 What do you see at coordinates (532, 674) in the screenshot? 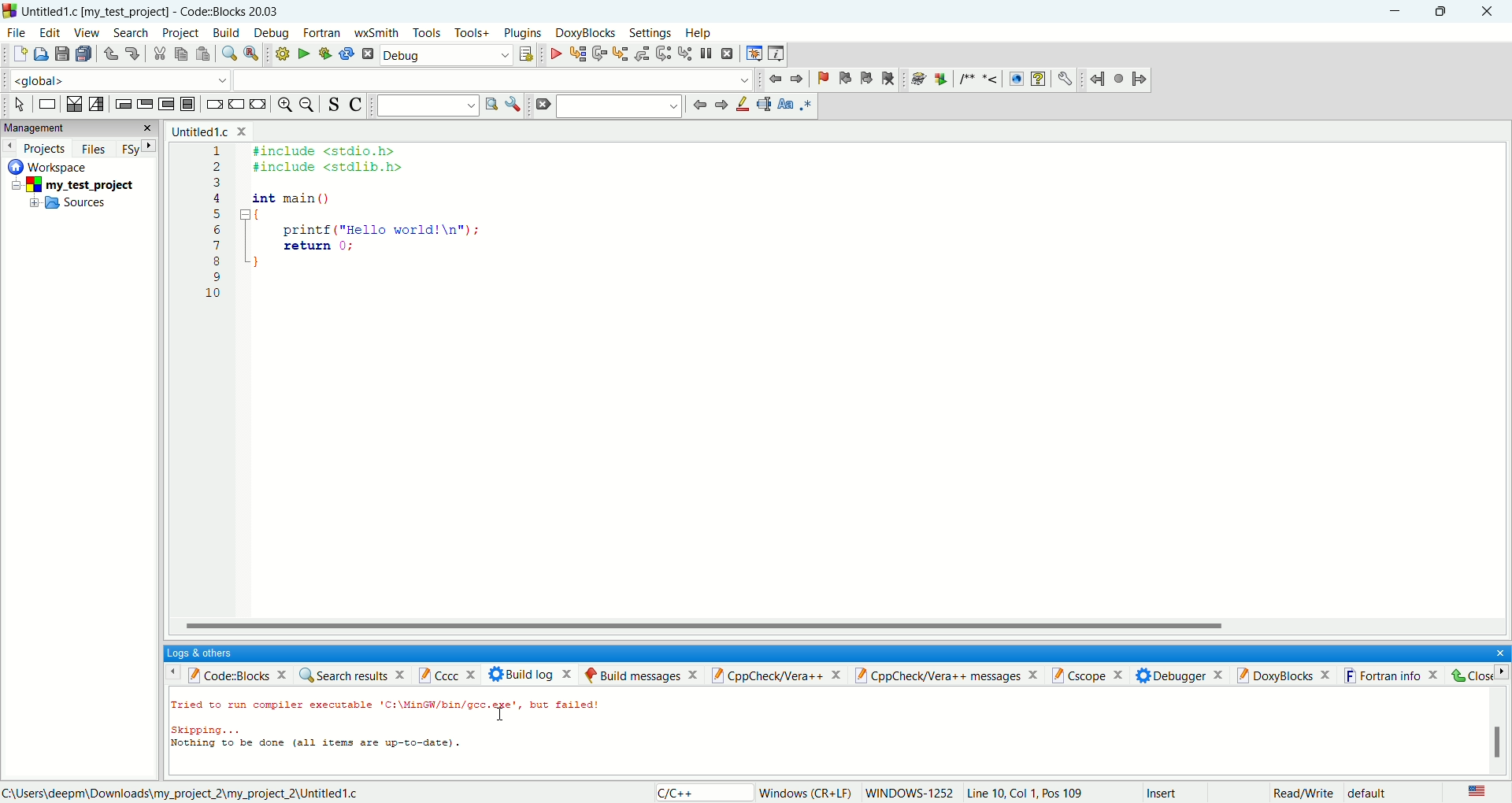
I see `build log` at bounding box center [532, 674].